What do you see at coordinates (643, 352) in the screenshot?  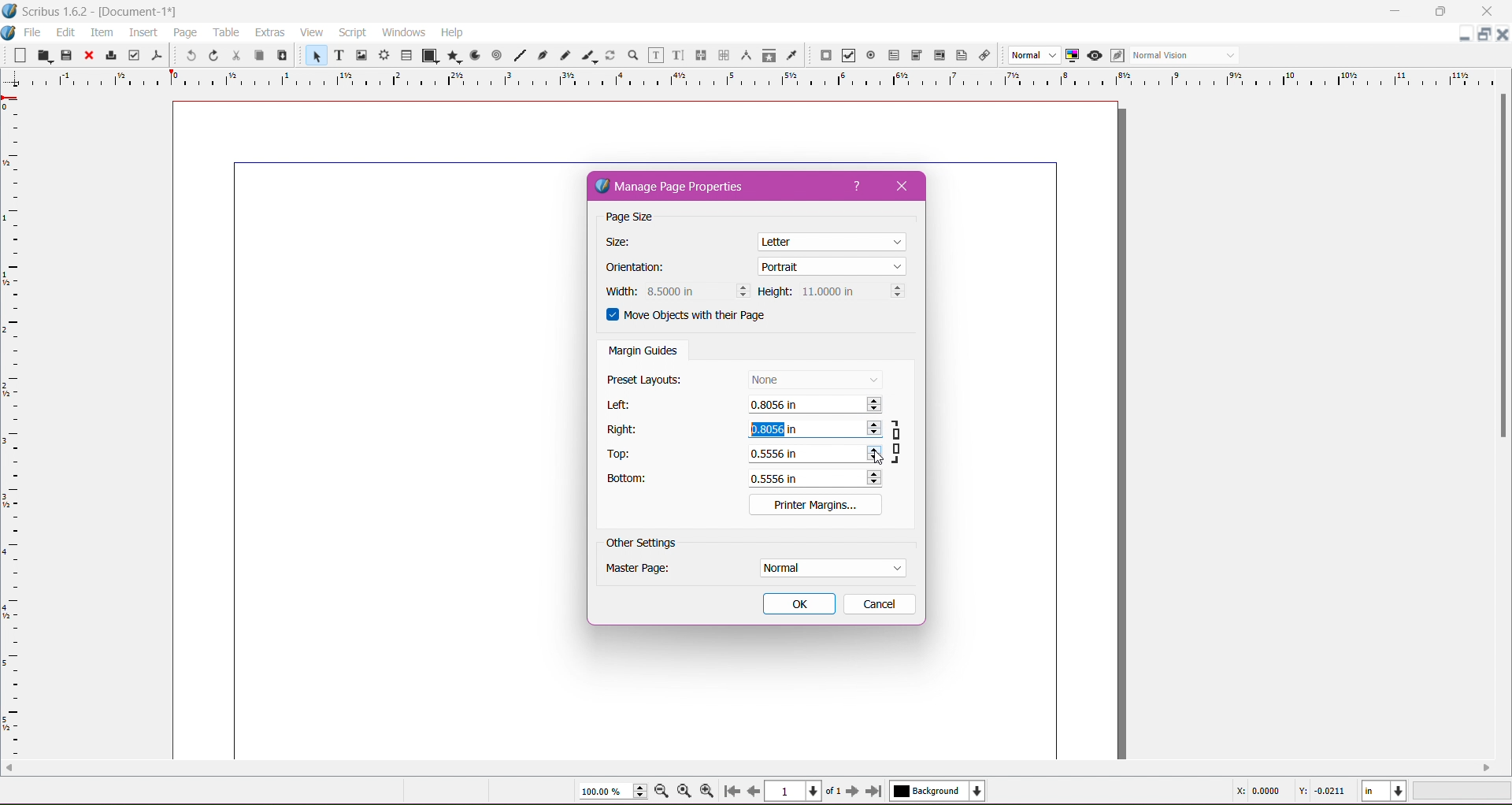 I see `Margin Guides` at bounding box center [643, 352].